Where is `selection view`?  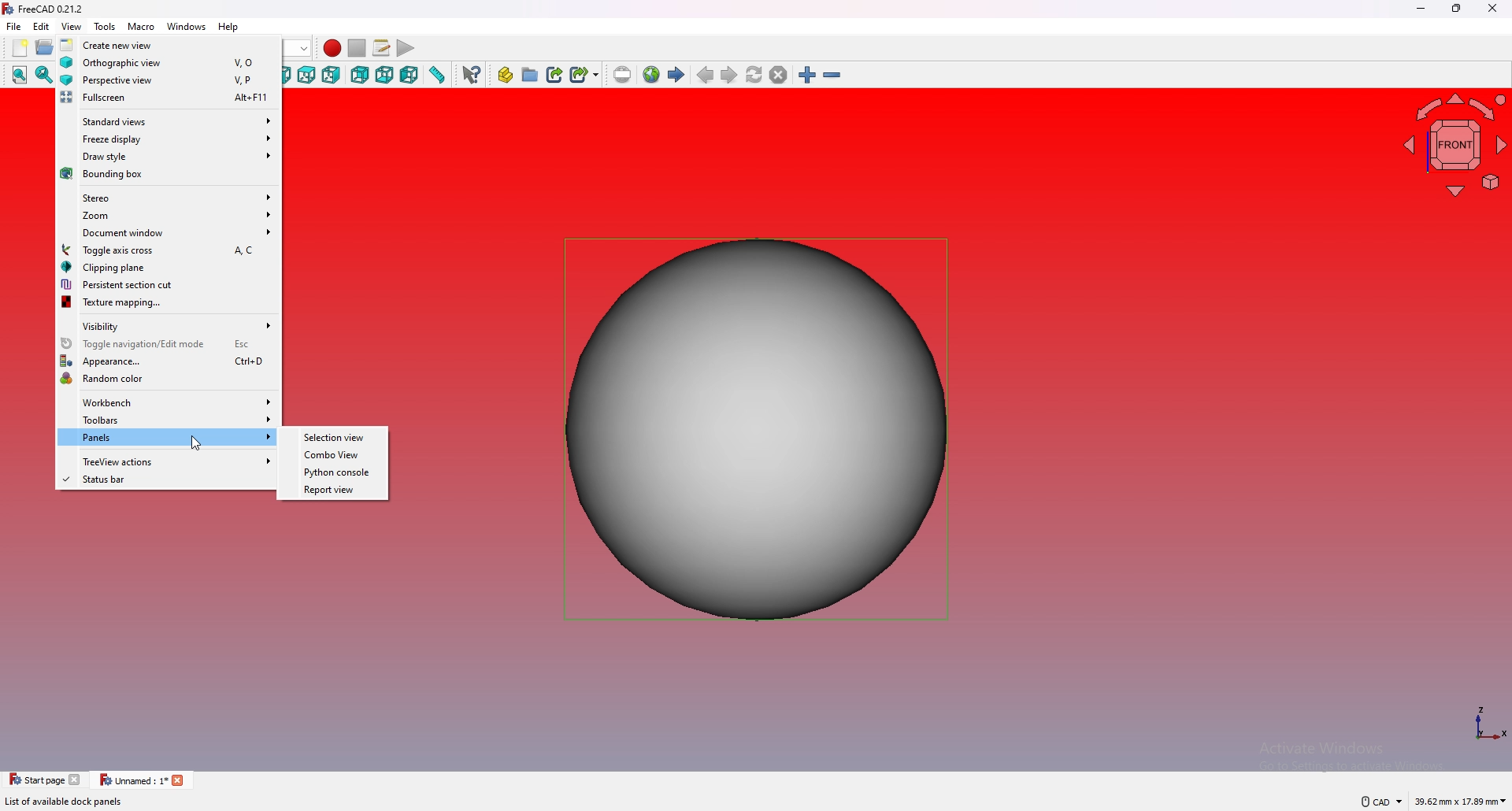 selection view is located at coordinates (335, 437).